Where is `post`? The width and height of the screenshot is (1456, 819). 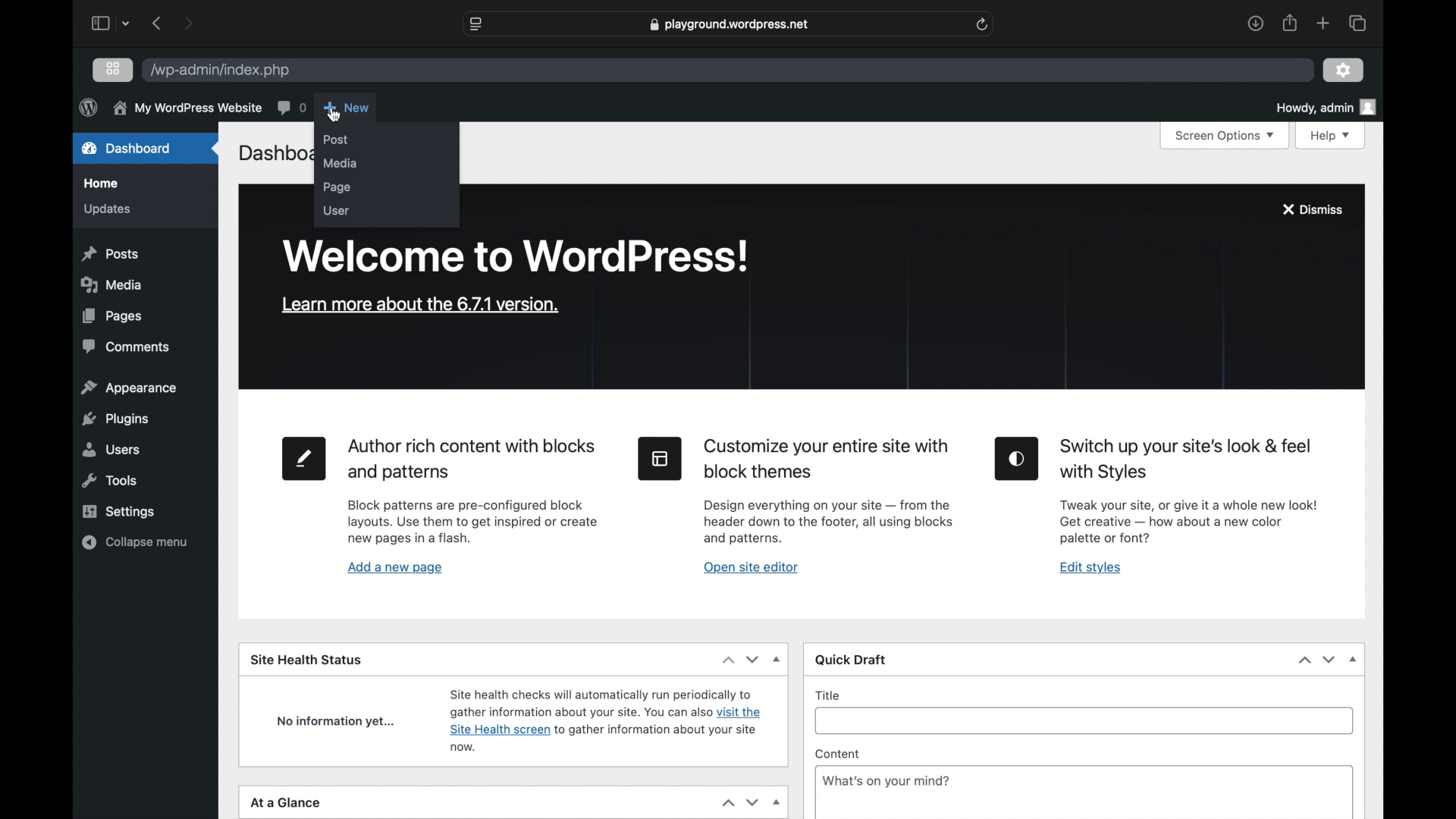 post is located at coordinates (337, 140).